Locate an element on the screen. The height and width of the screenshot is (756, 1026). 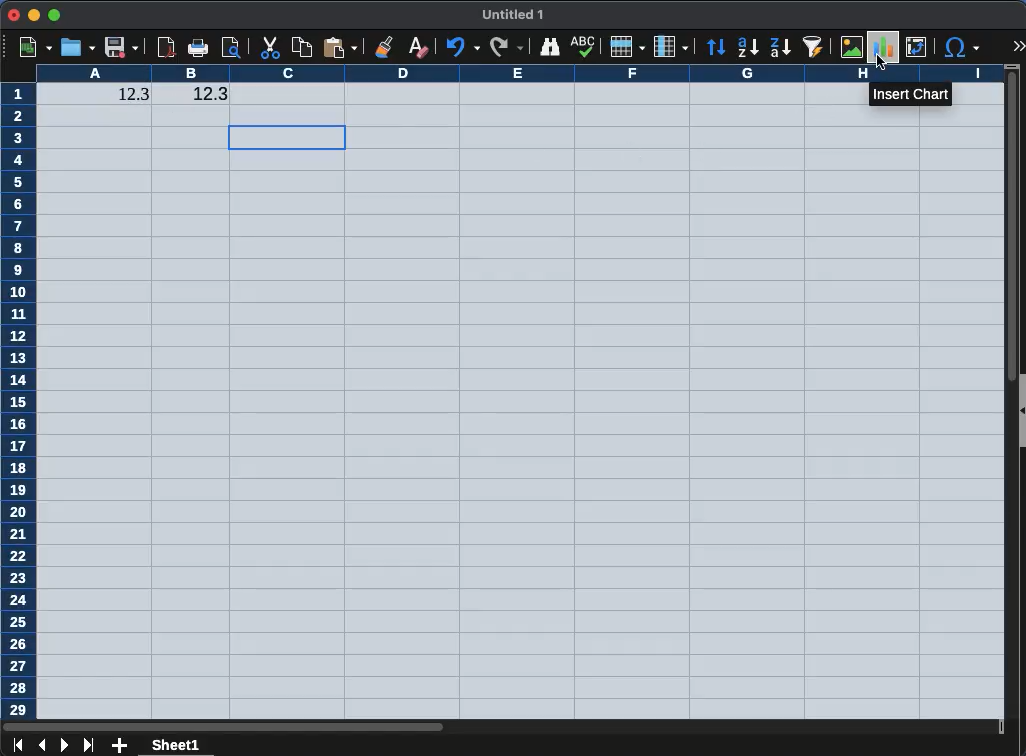
clear formatting is located at coordinates (417, 50).